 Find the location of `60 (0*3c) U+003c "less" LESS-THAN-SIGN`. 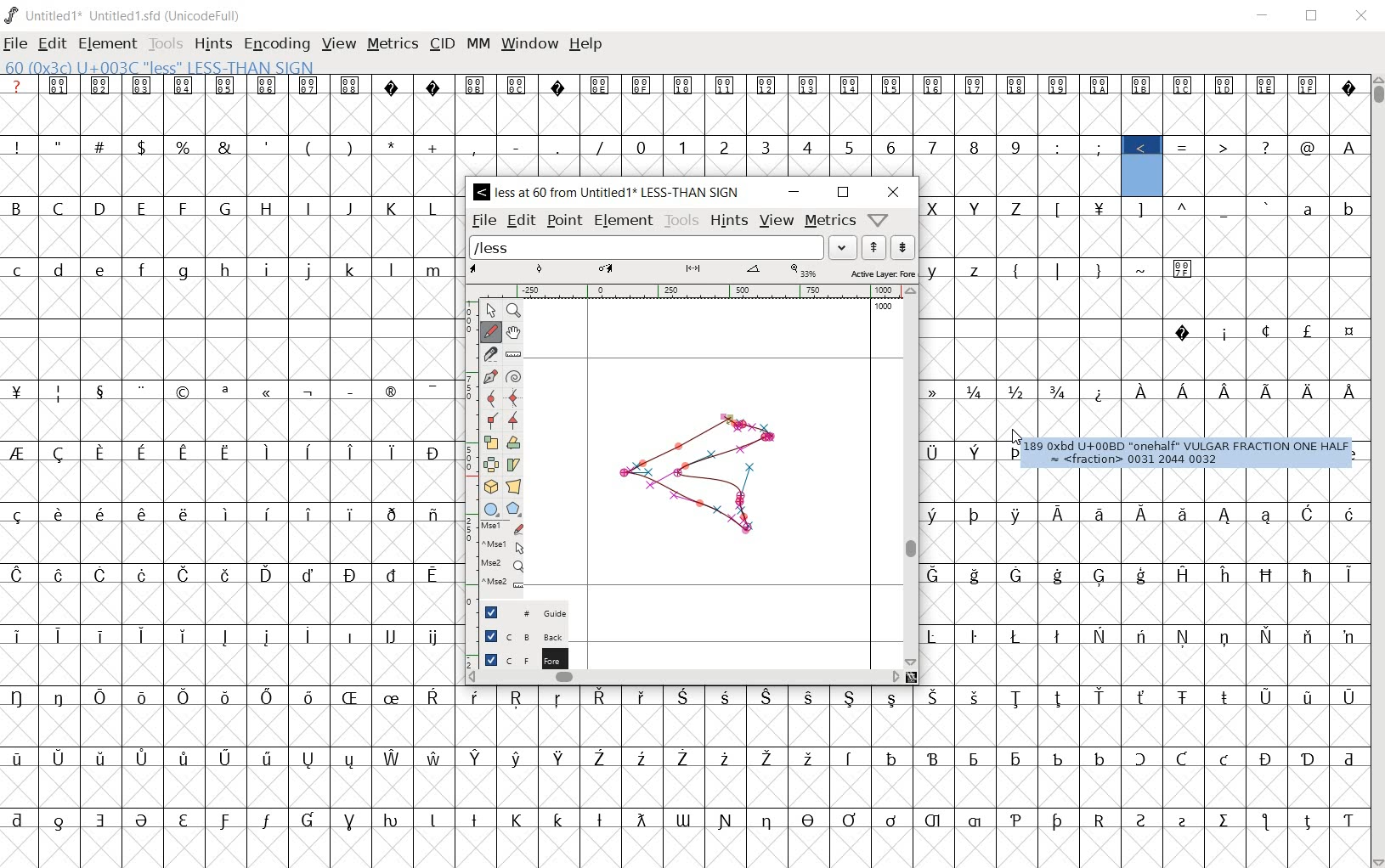

60 (0*3c) U+003c "less" LESS-THAN-SIGN is located at coordinates (160, 68).